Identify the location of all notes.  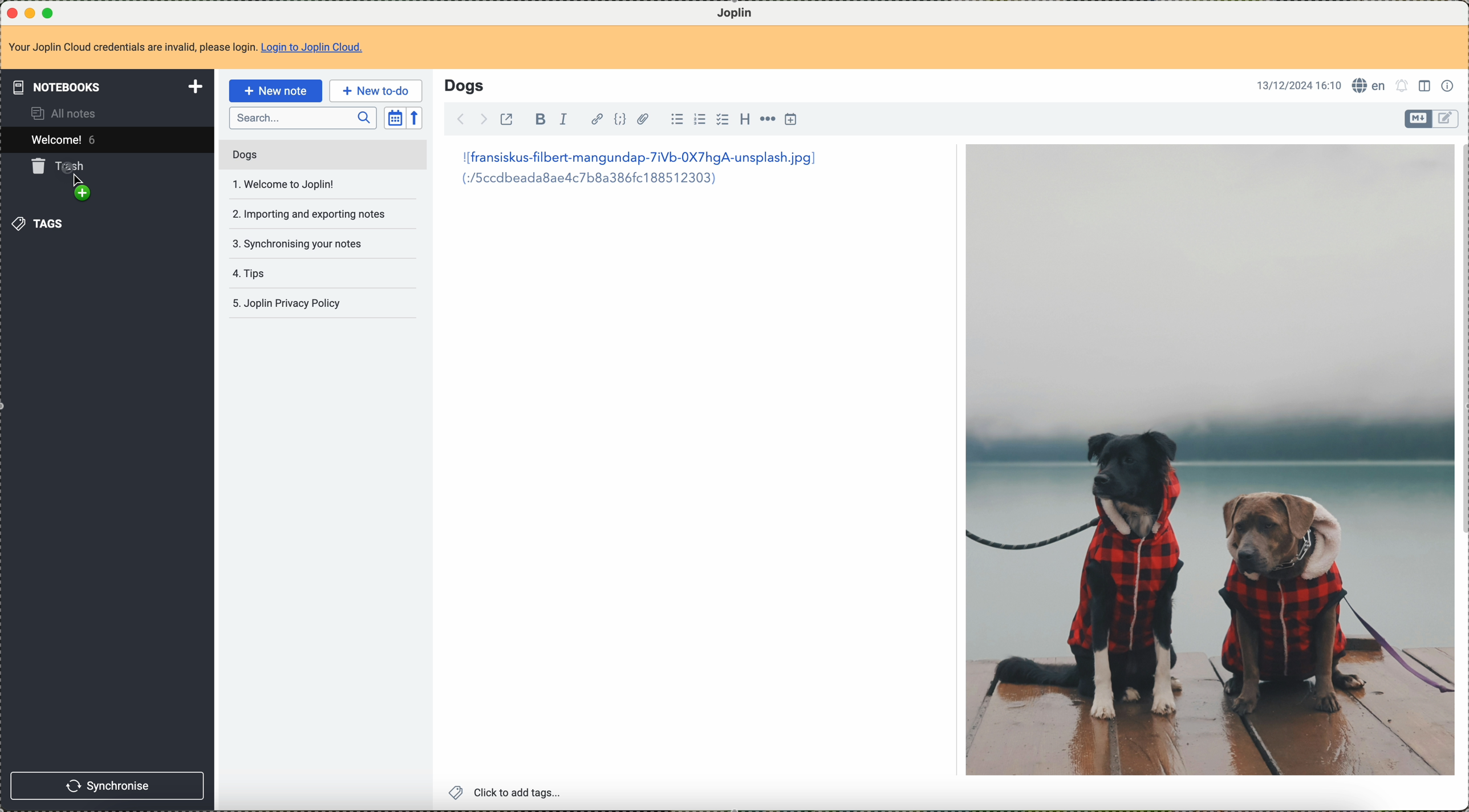
(66, 113).